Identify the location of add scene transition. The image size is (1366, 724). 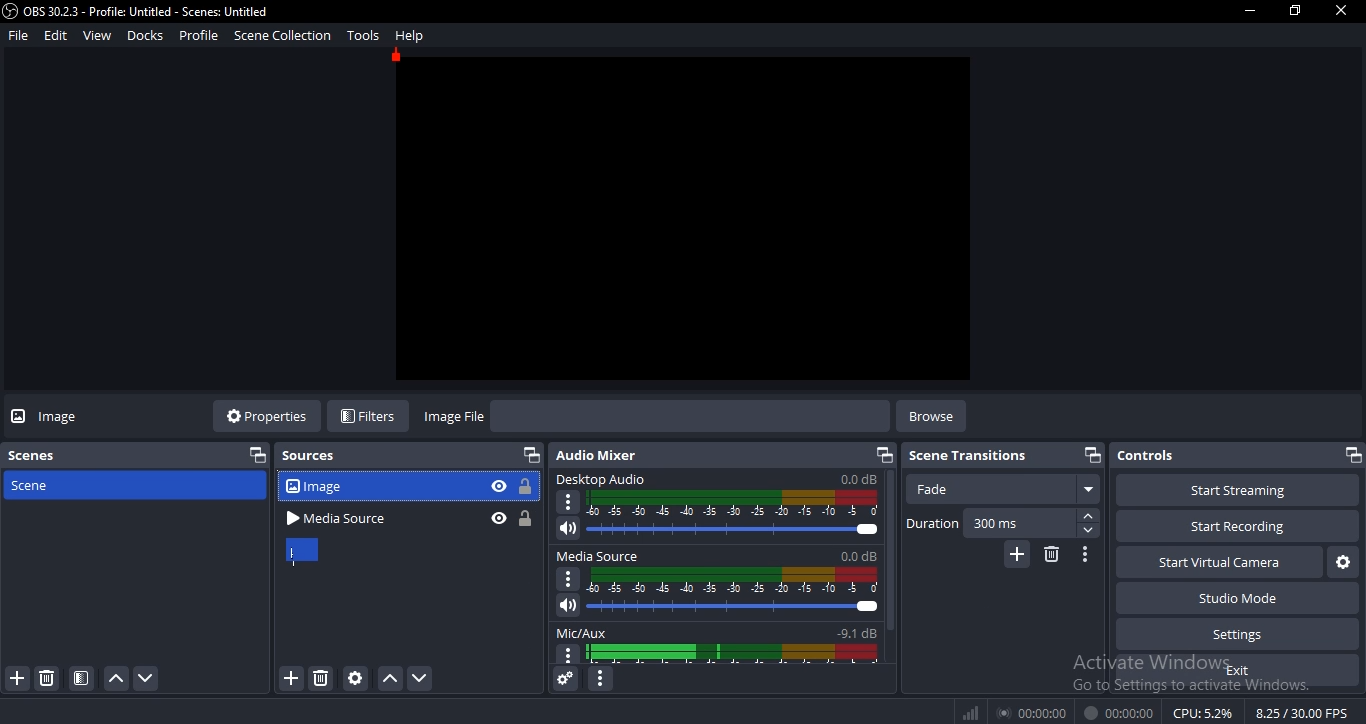
(1019, 554).